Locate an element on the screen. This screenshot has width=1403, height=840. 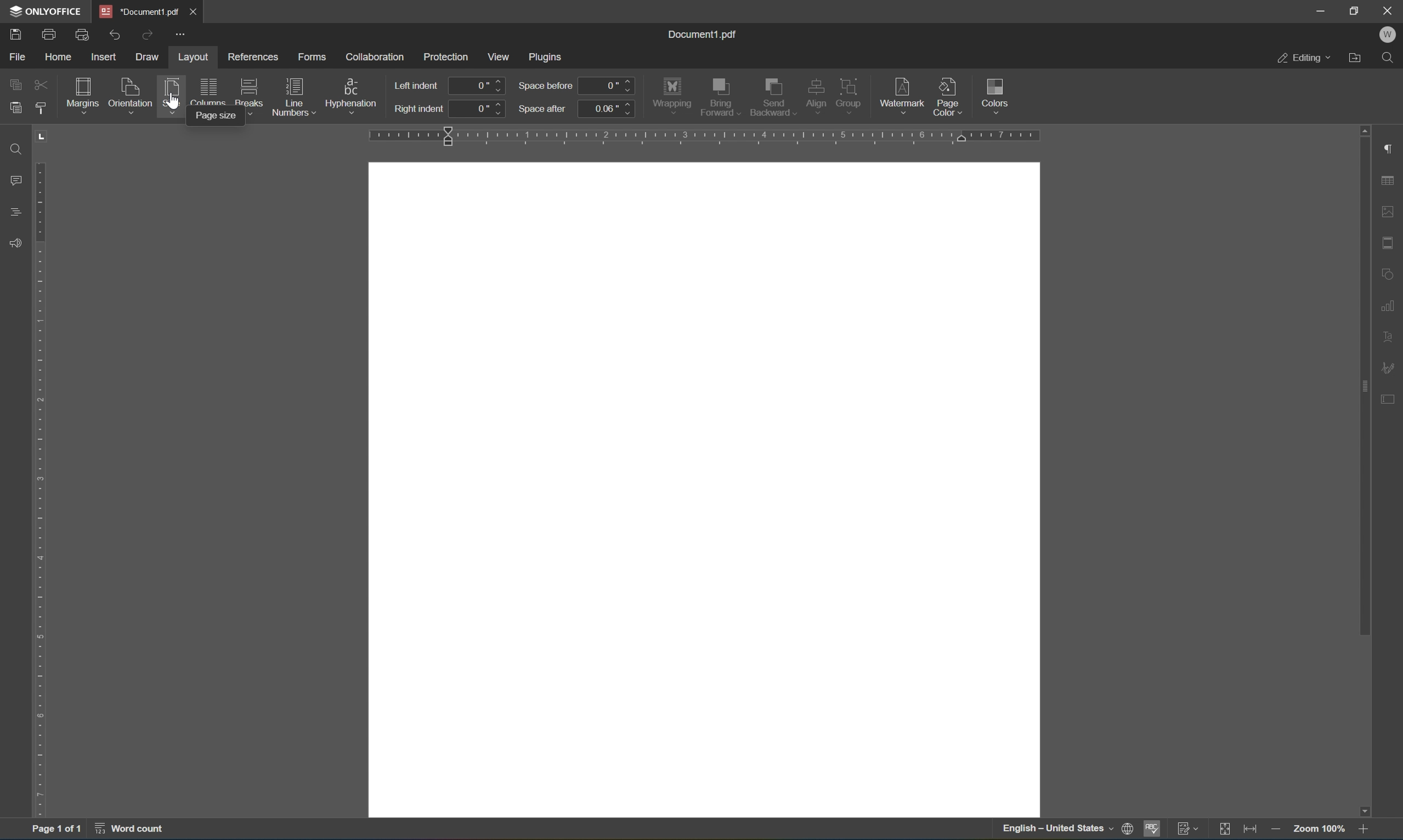
restore down is located at coordinates (1356, 9).